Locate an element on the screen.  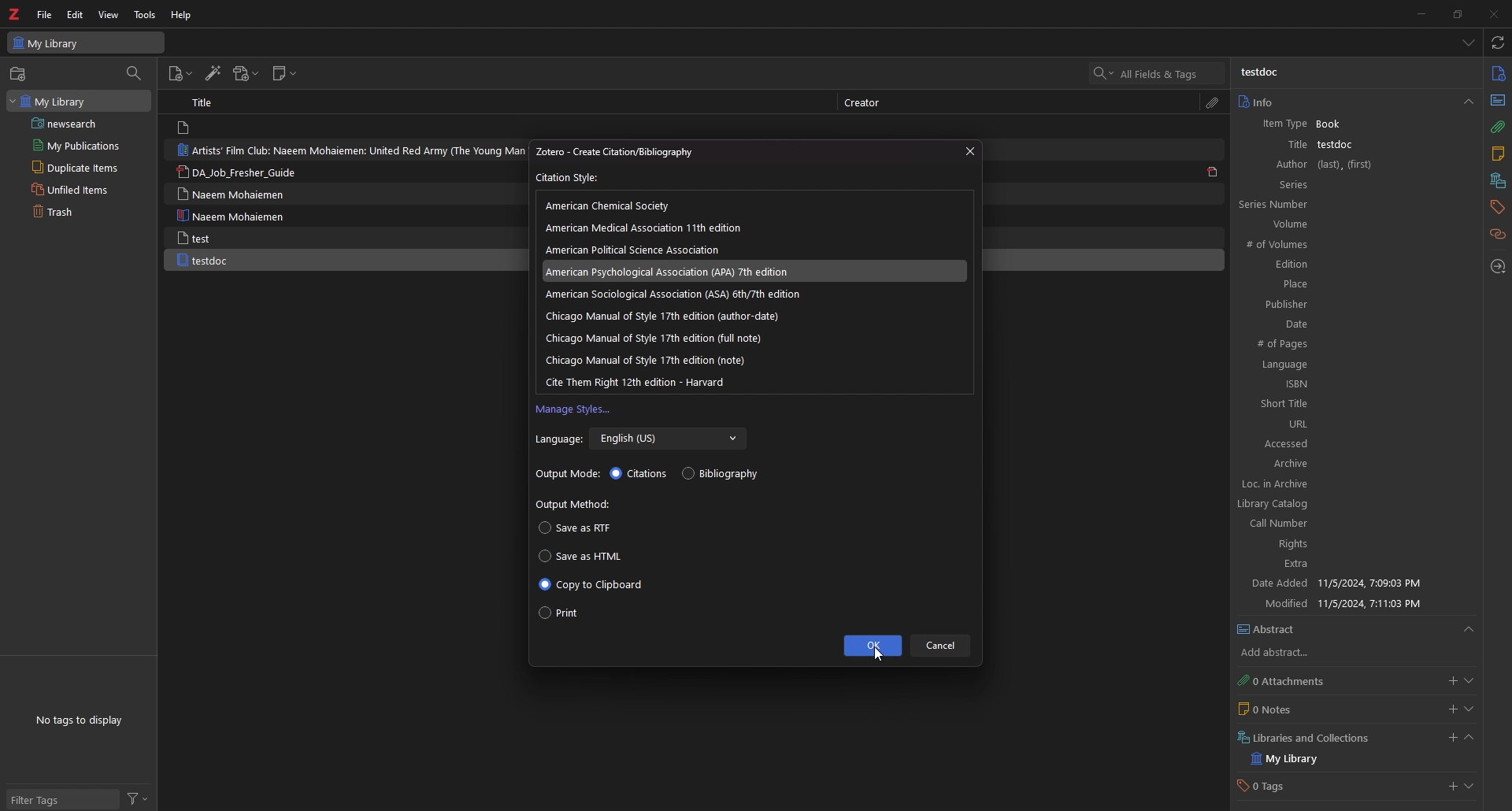
ISBN is located at coordinates (1351, 384).